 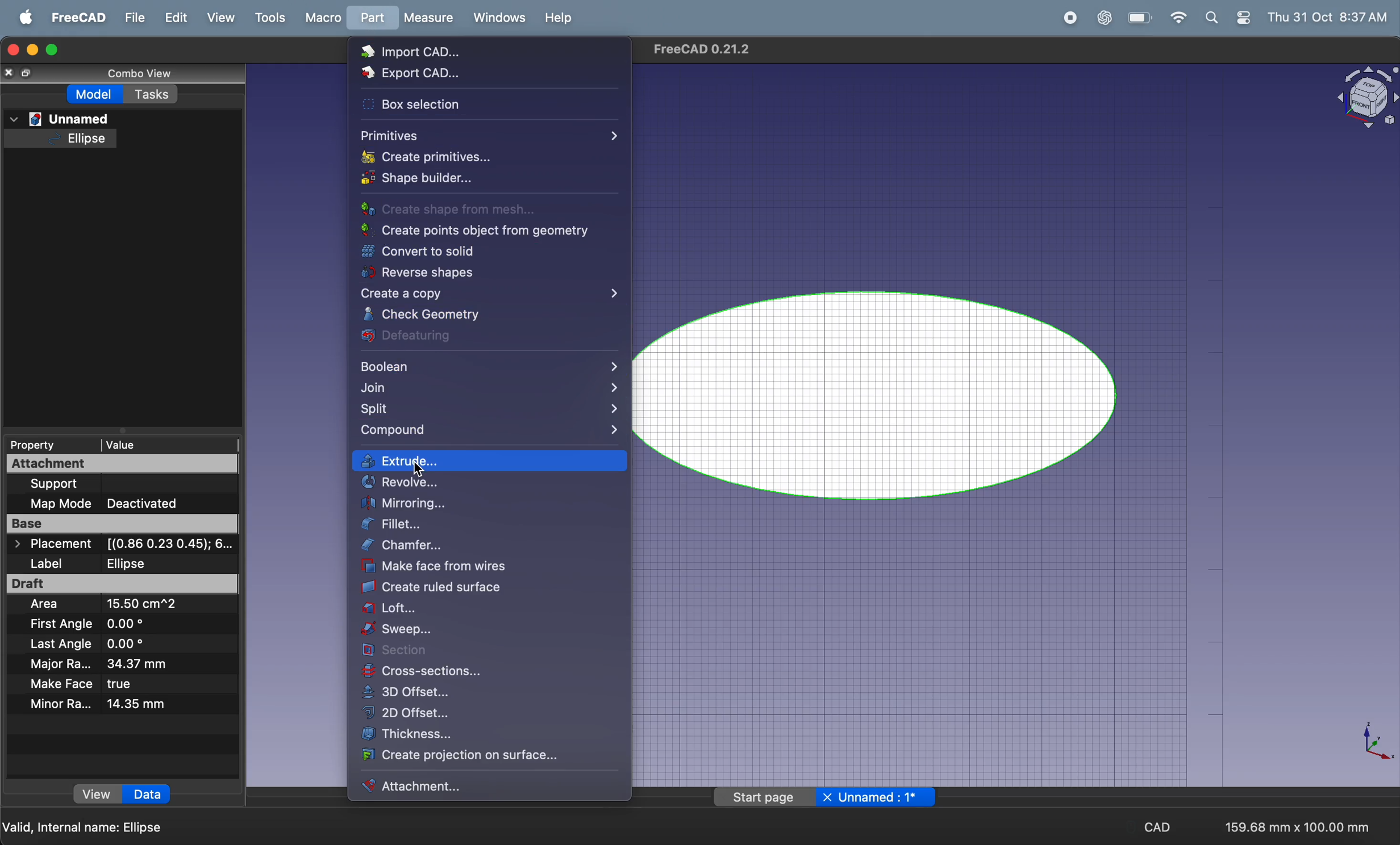 What do you see at coordinates (495, 179) in the screenshot?
I see `shape builder` at bounding box center [495, 179].